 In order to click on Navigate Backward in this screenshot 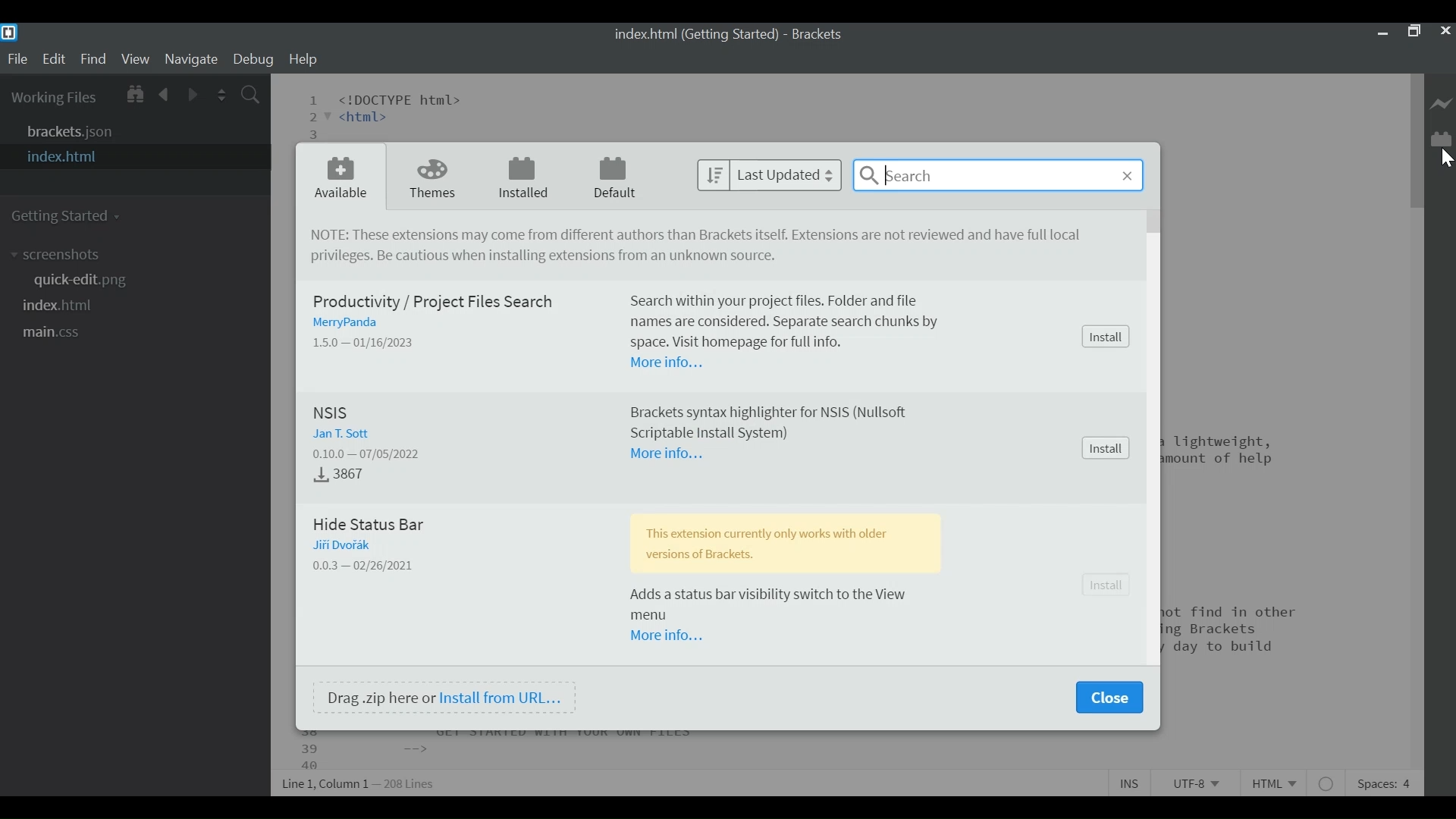, I will do `click(165, 94)`.